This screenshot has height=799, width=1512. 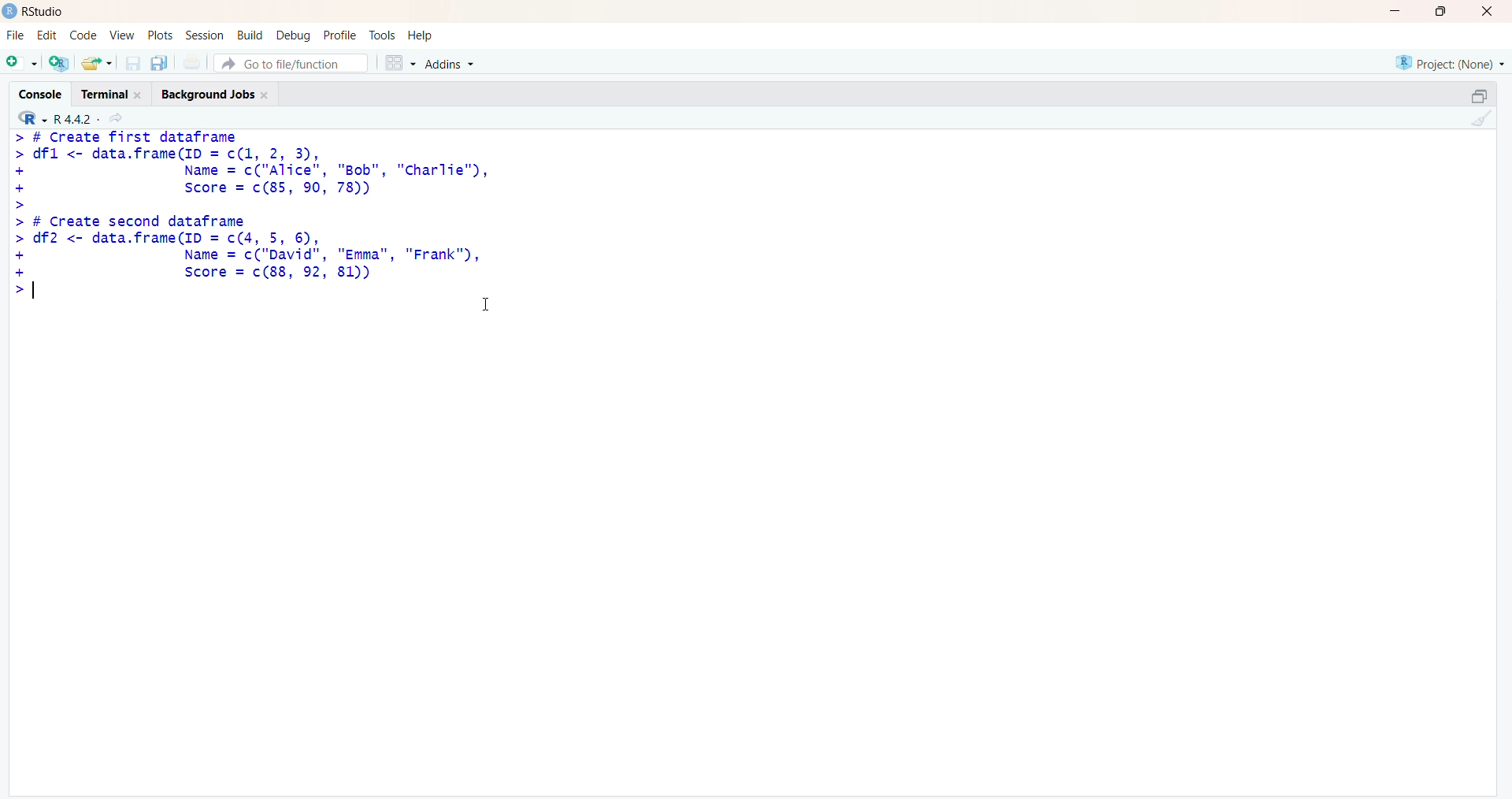 What do you see at coordinates (115, 117) in the screenshot?
I see `view current directory` at bounding box center [115, 117].